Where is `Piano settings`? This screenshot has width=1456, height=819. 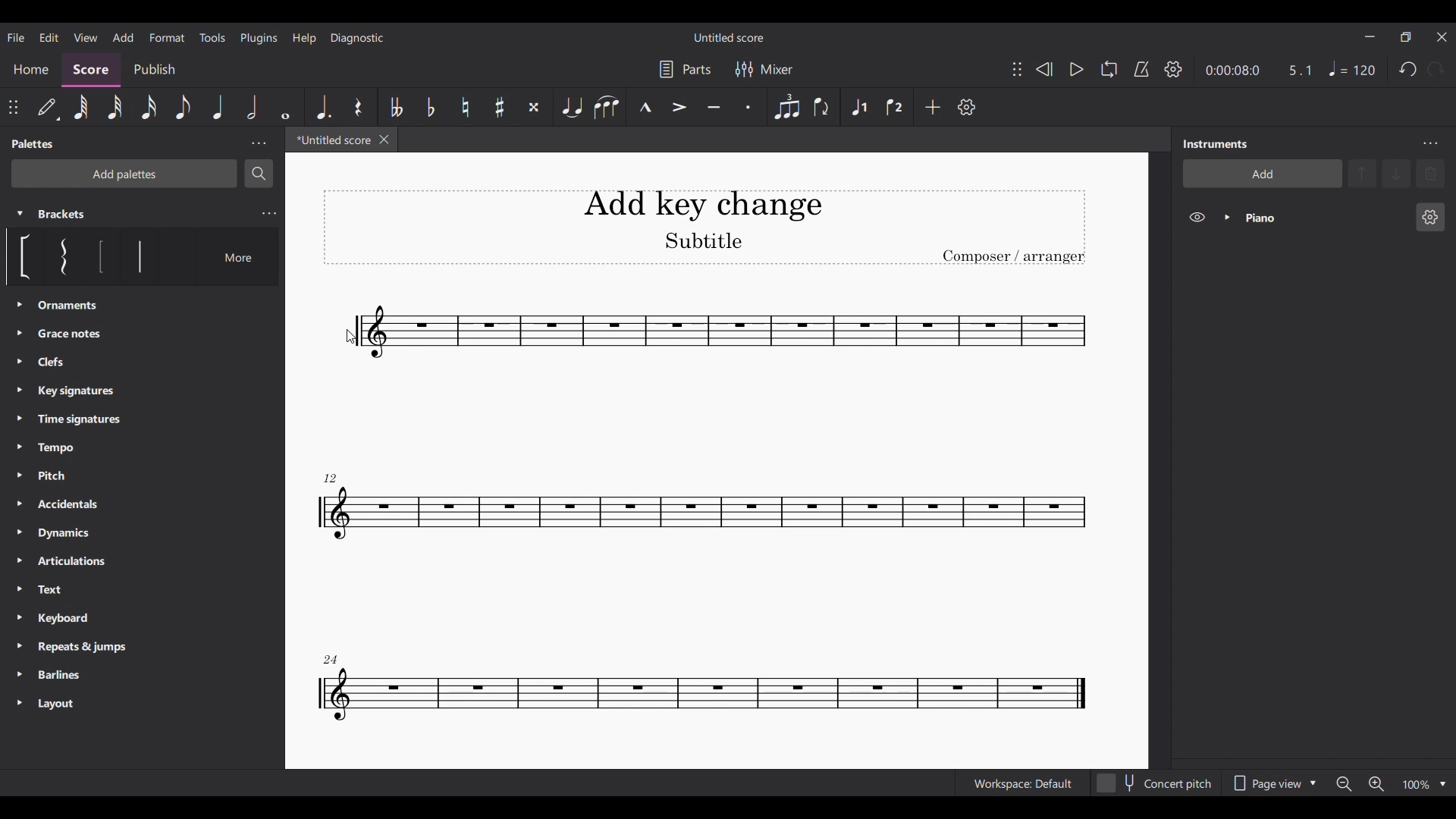 Piano settings is located at coordinates (1431, 217).